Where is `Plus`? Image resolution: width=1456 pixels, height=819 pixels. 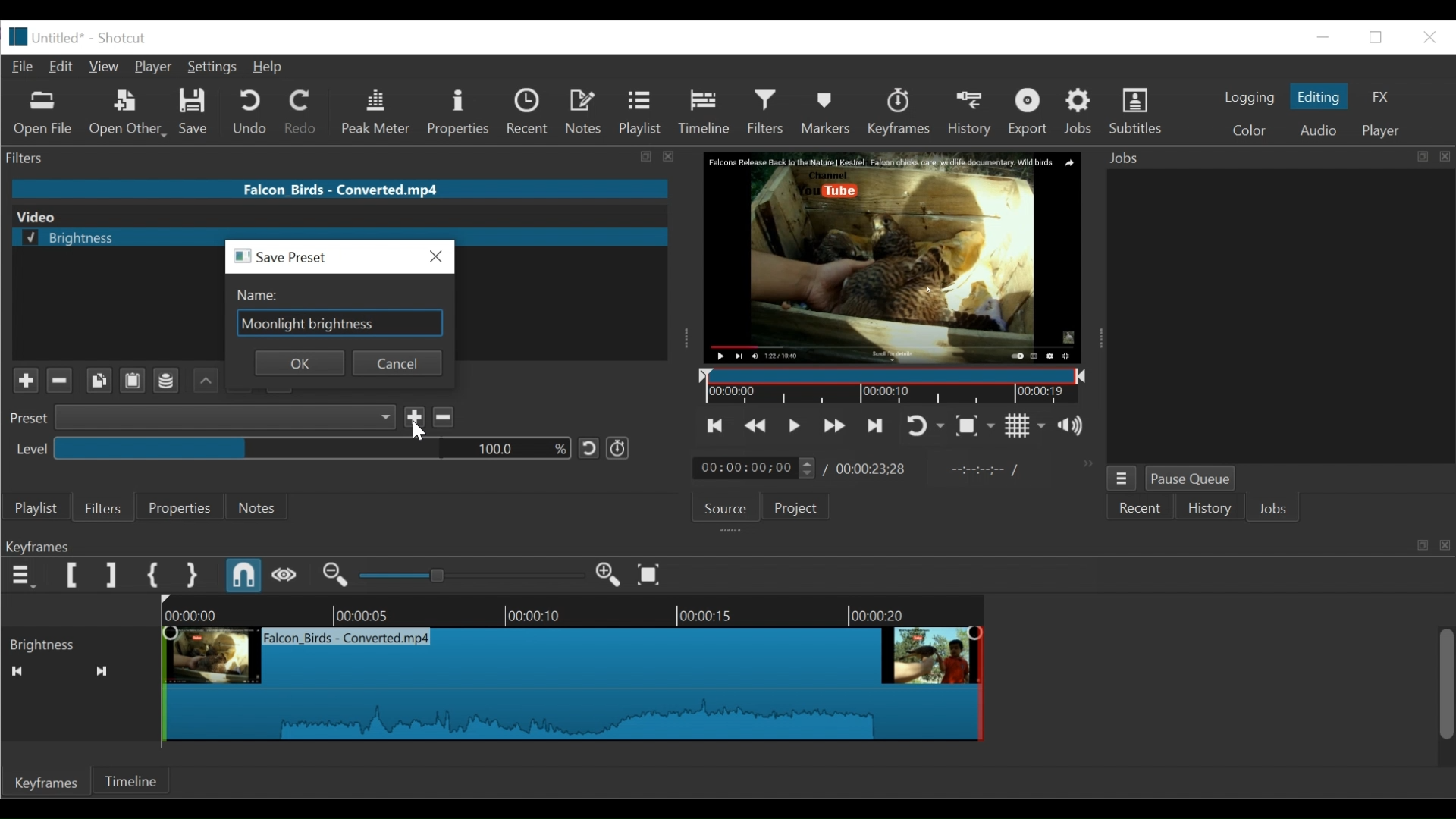
Plus is located at coordinates (20, 377).